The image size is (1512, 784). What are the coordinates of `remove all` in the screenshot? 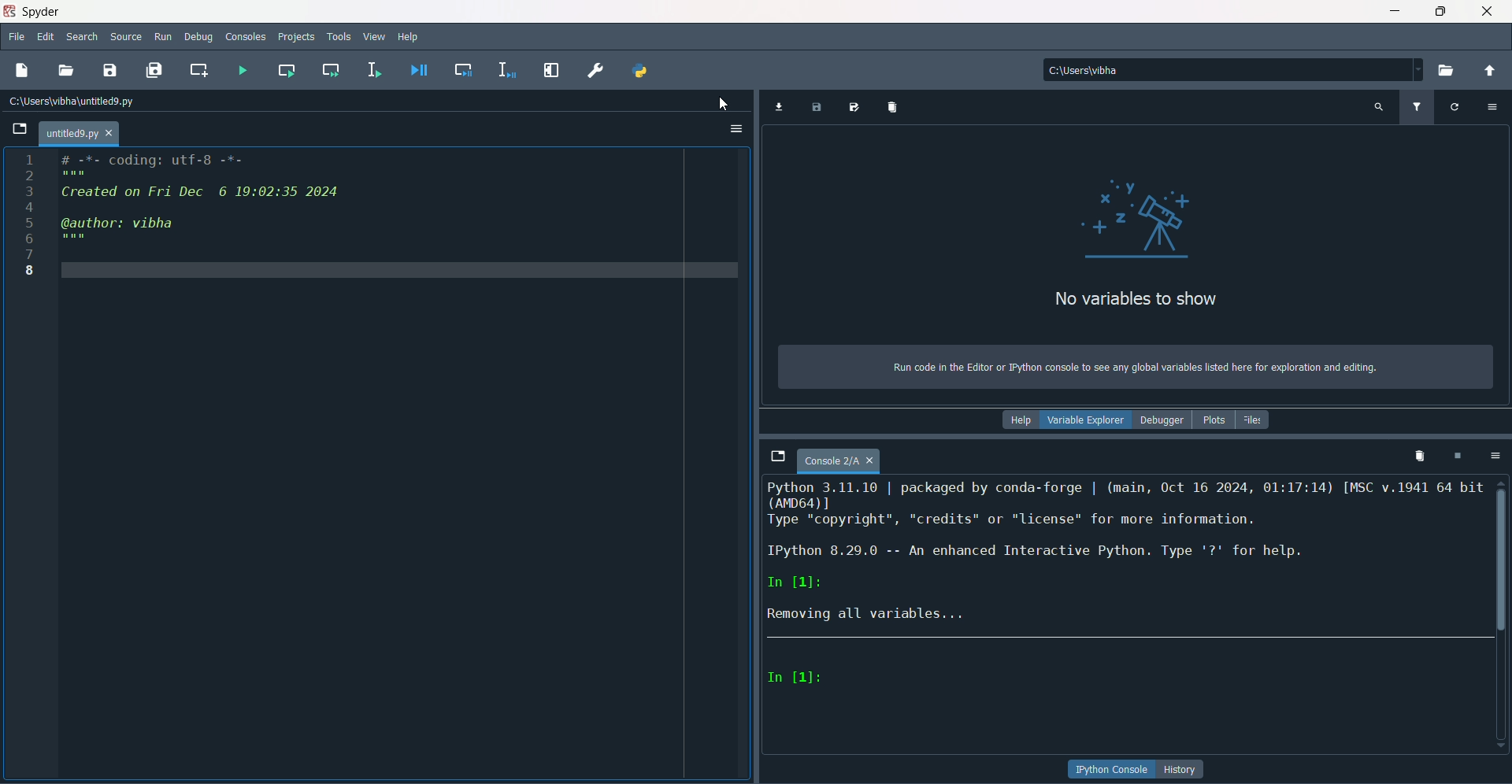 It's located at (1417, 455).